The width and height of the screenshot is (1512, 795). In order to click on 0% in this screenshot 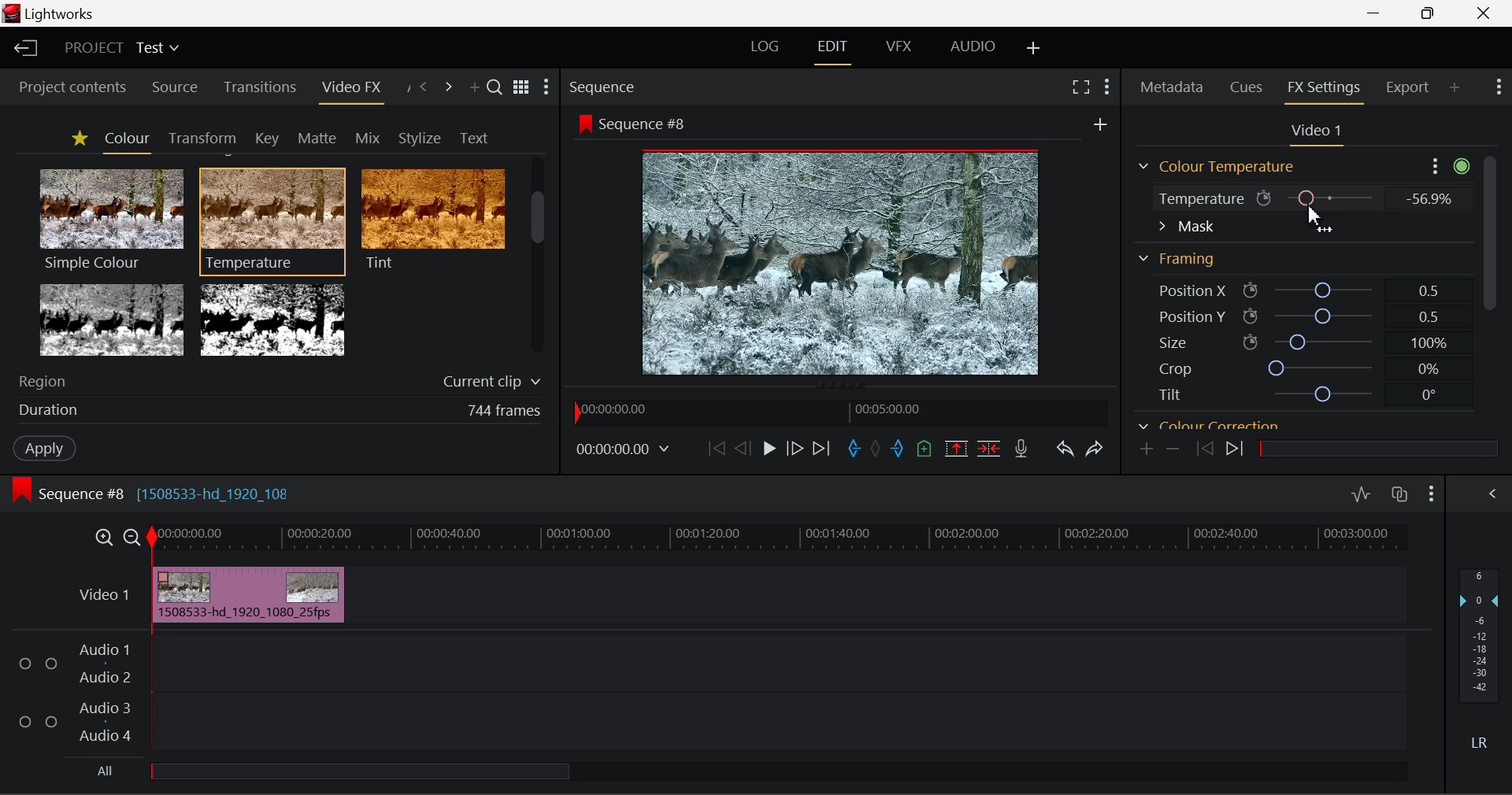, I will do `click(1427, 198)`.